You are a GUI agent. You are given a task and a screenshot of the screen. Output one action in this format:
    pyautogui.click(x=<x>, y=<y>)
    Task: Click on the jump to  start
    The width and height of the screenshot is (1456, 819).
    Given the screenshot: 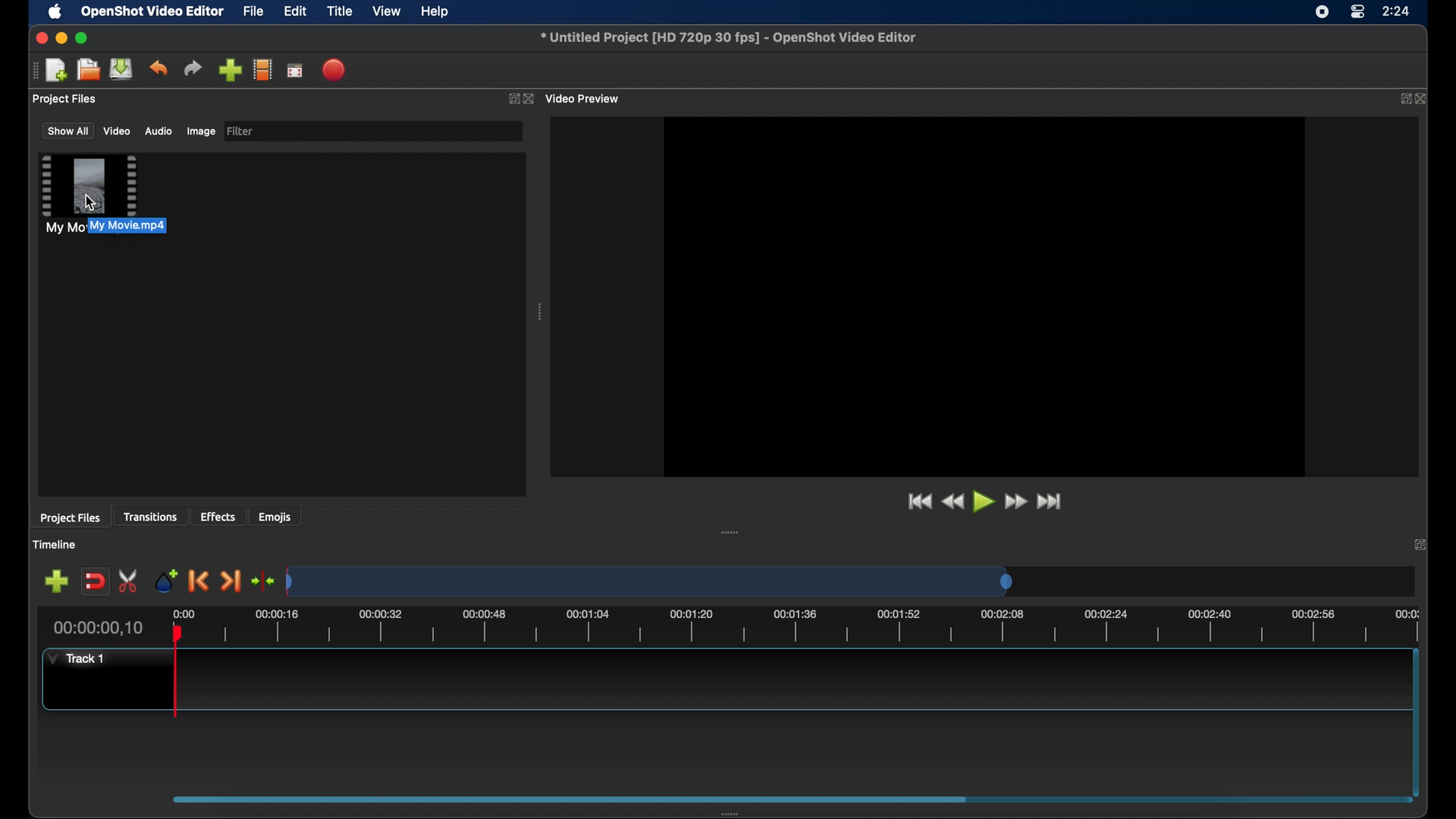 What is the action you would take?
    pyautogui.click(x=918, y=500)
    